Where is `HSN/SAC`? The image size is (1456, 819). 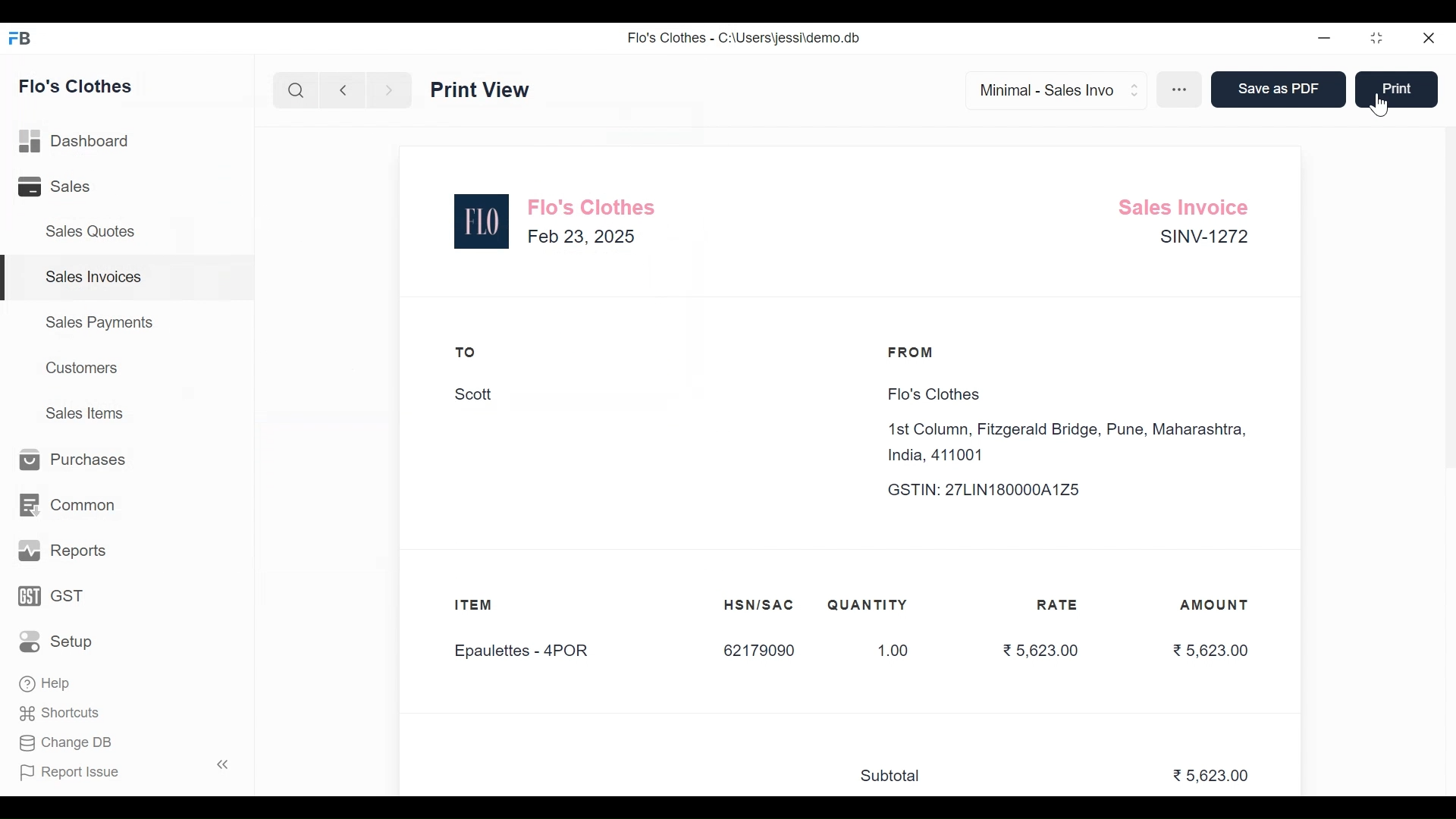
HSN/SAC is located at coordinates (760, 605).